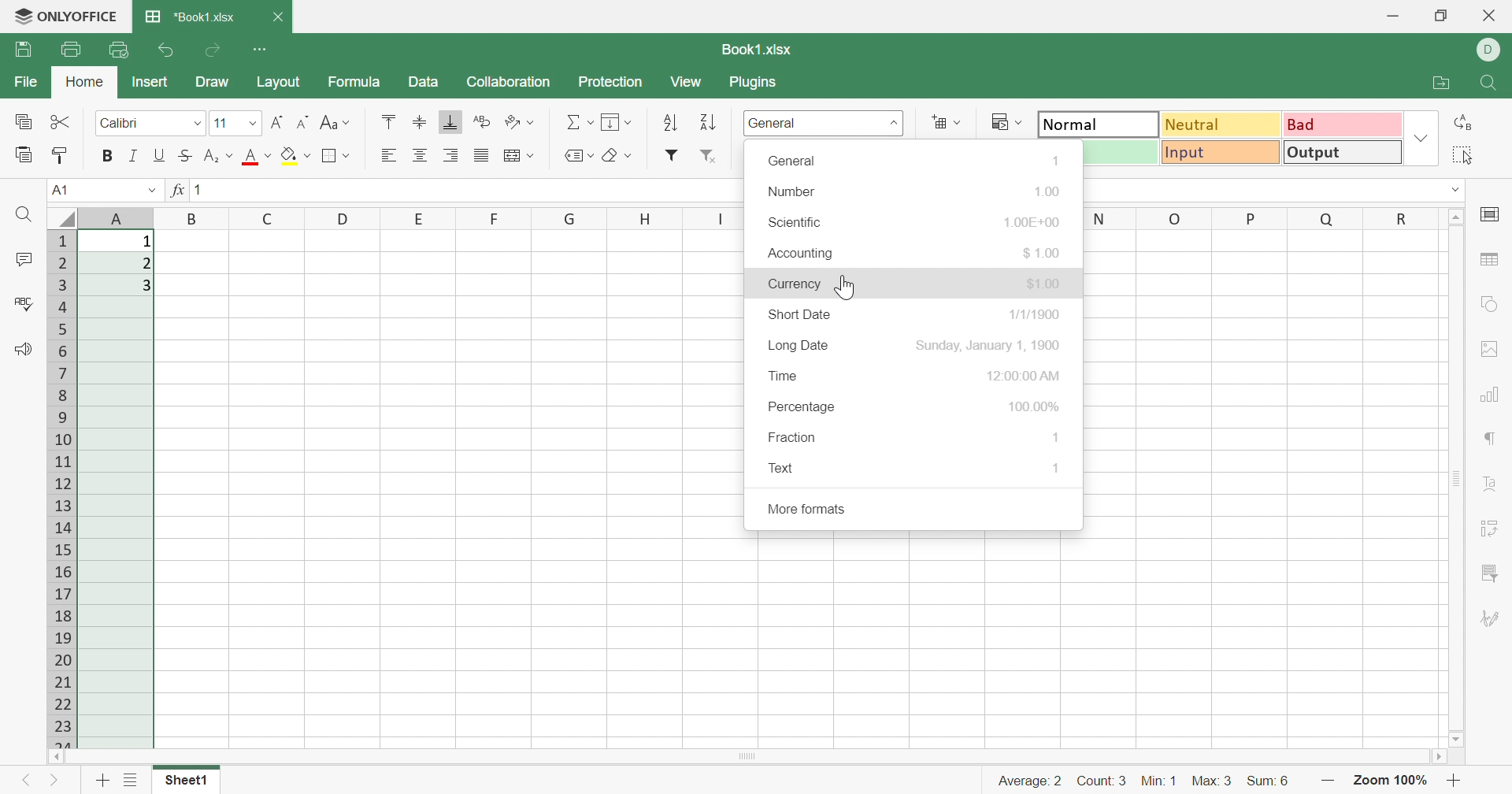 The height and width of the screenshot is (794, 1512). Describe the element at coordinates (825, 124) in the screenshot. I see `Number format` at that location.